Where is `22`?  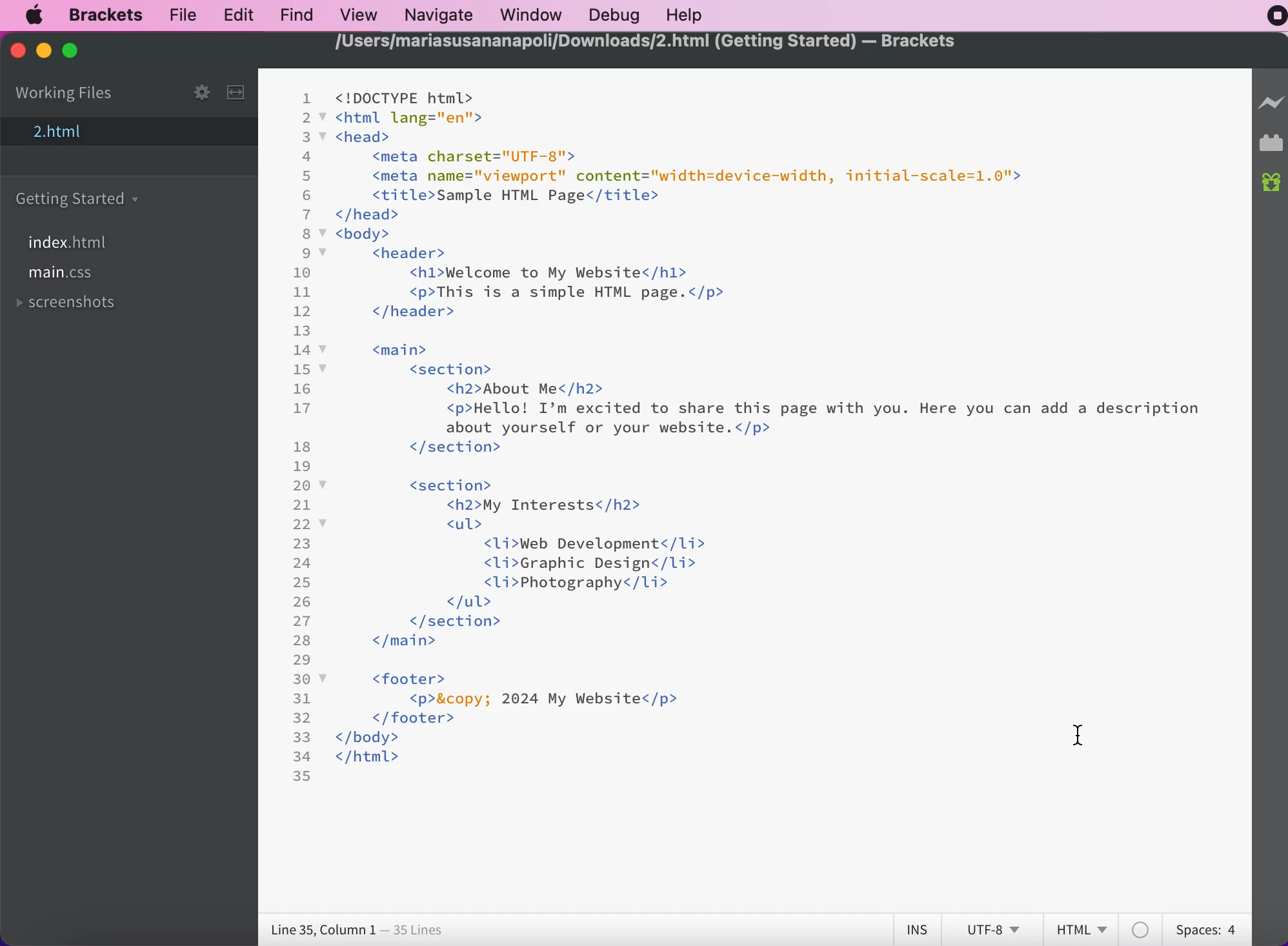
22 is located at coordinates (301, 525).